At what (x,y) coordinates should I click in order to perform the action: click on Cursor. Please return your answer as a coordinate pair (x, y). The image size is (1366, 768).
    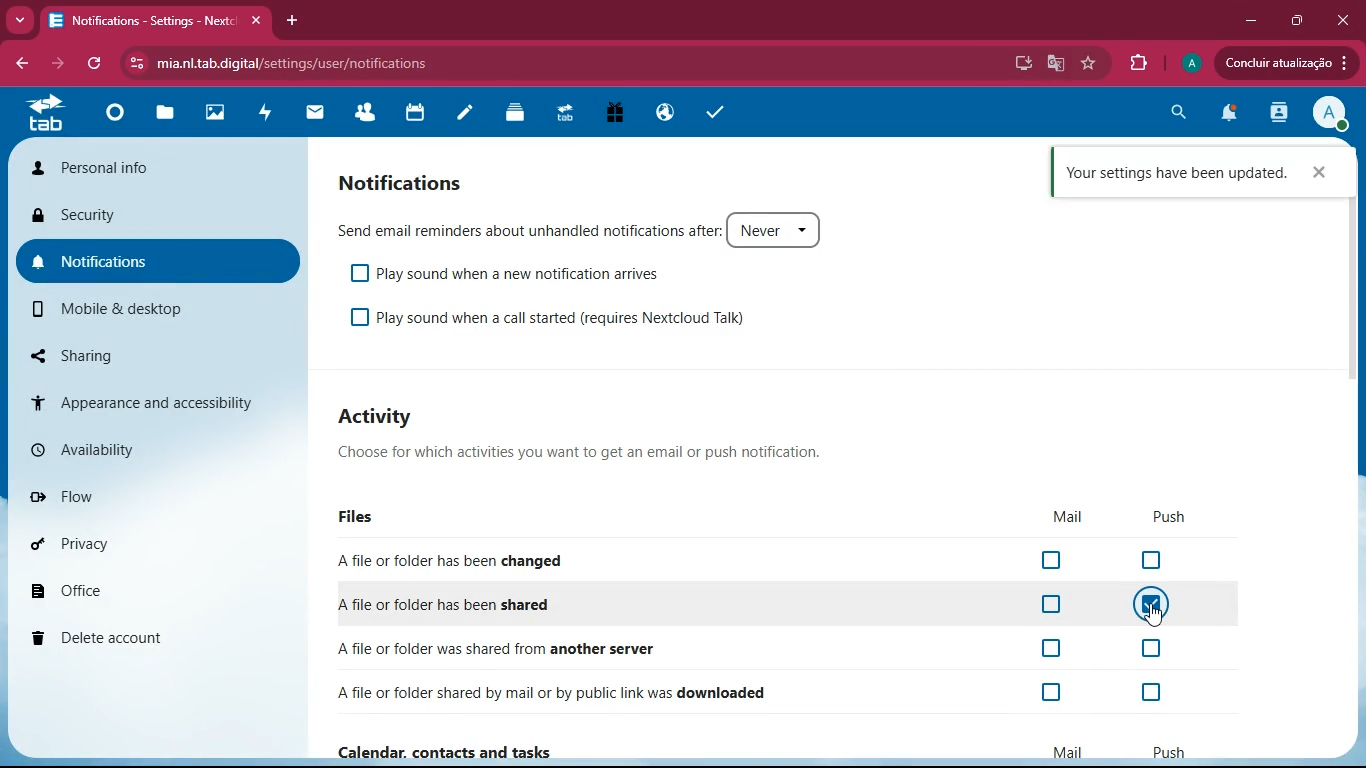
    Looking at the image, I should click on (1151, 617).